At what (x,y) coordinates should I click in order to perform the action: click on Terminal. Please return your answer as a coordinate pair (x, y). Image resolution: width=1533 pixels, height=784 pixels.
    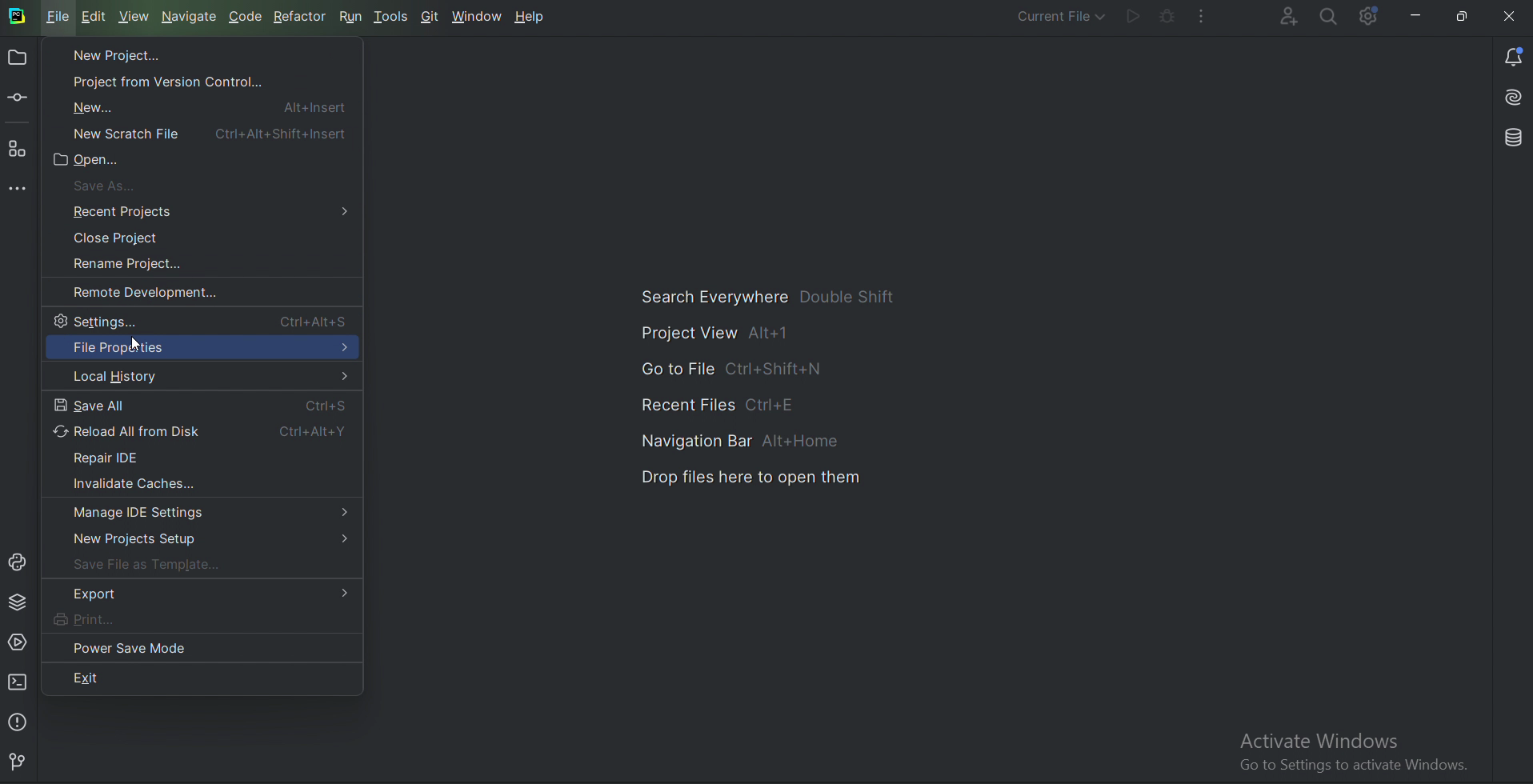
    Looking at the image, I should click on (18, 682).